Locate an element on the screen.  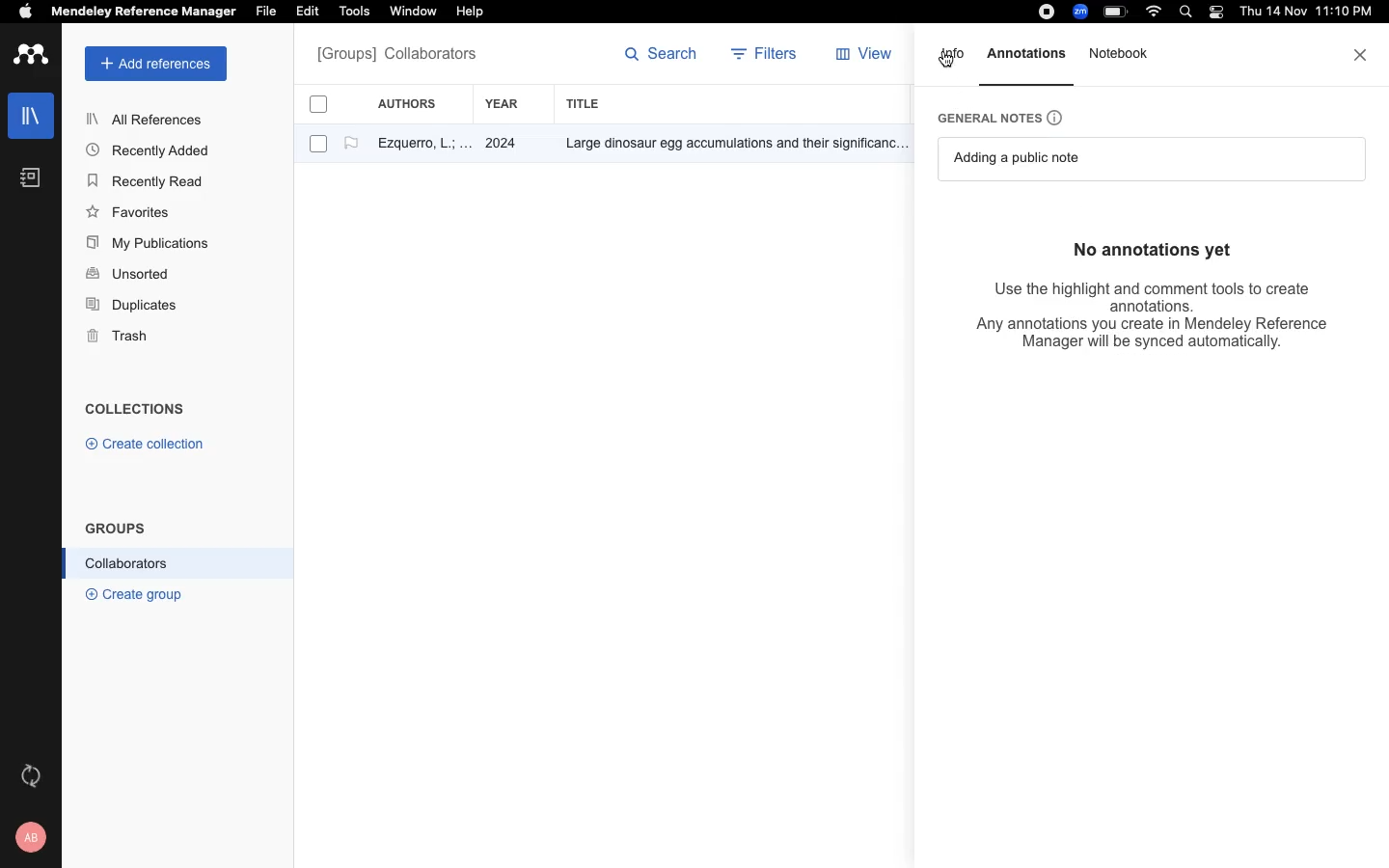
 is located at coordinates (728, 145).